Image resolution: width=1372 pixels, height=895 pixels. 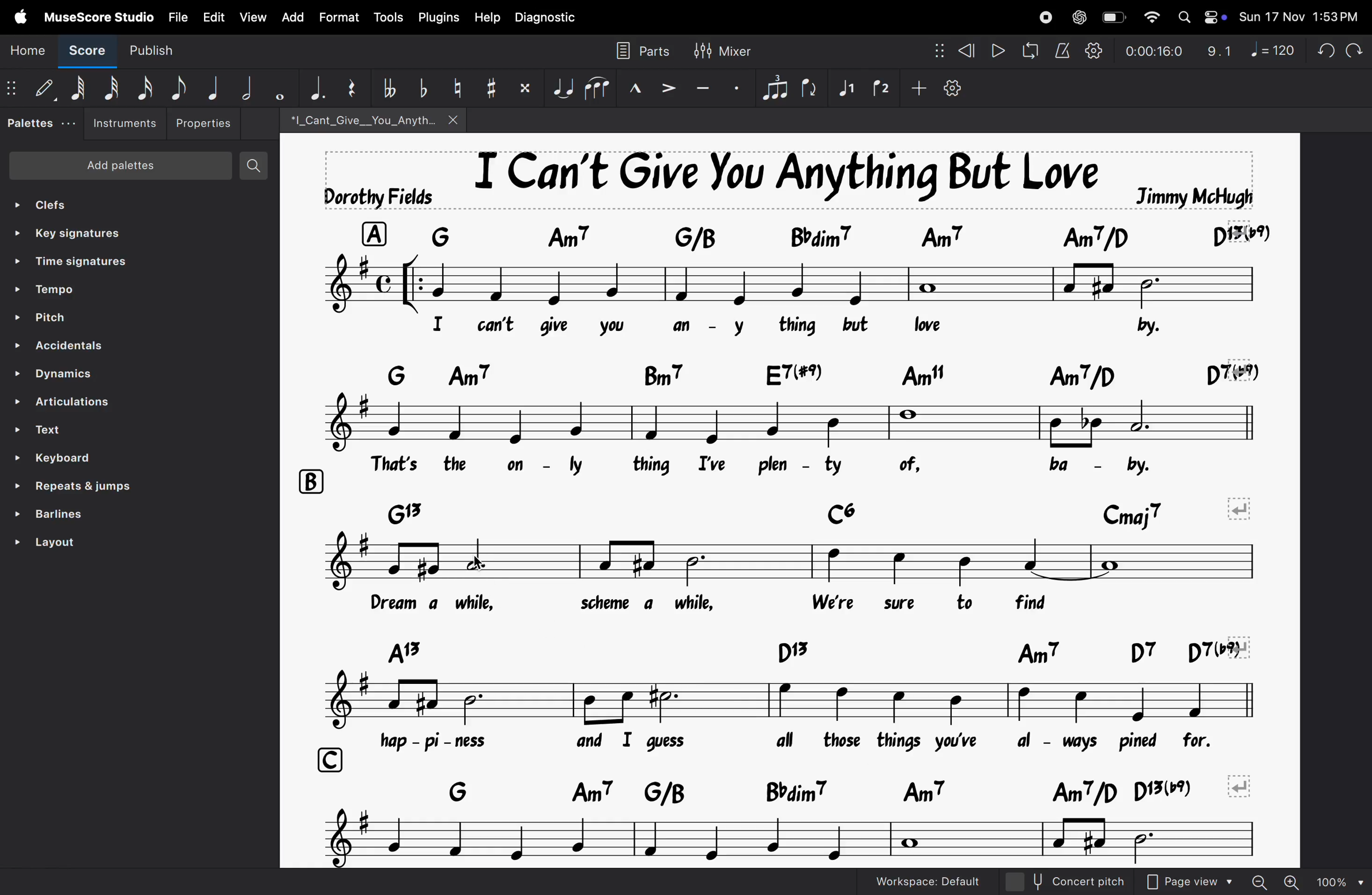 I want to click on Default, so click(x=43, y=88).